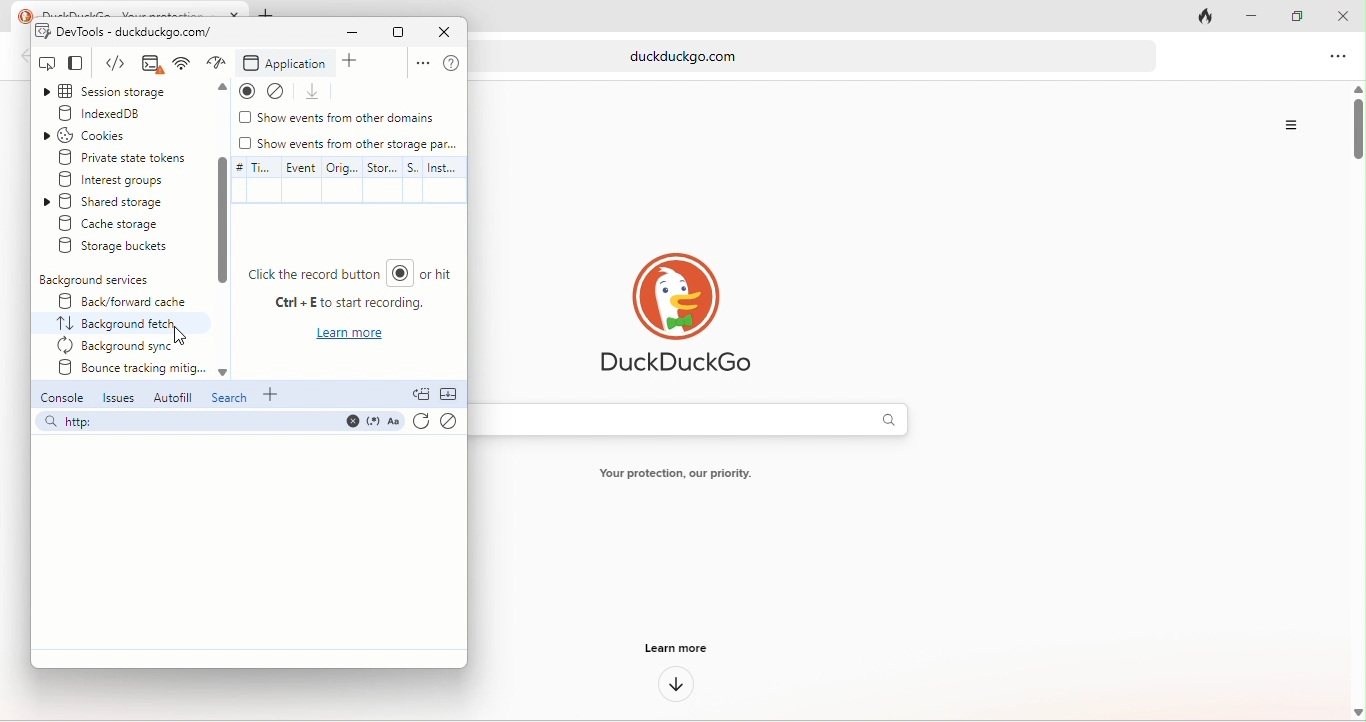  I want to click on unload, so click(317, 92).